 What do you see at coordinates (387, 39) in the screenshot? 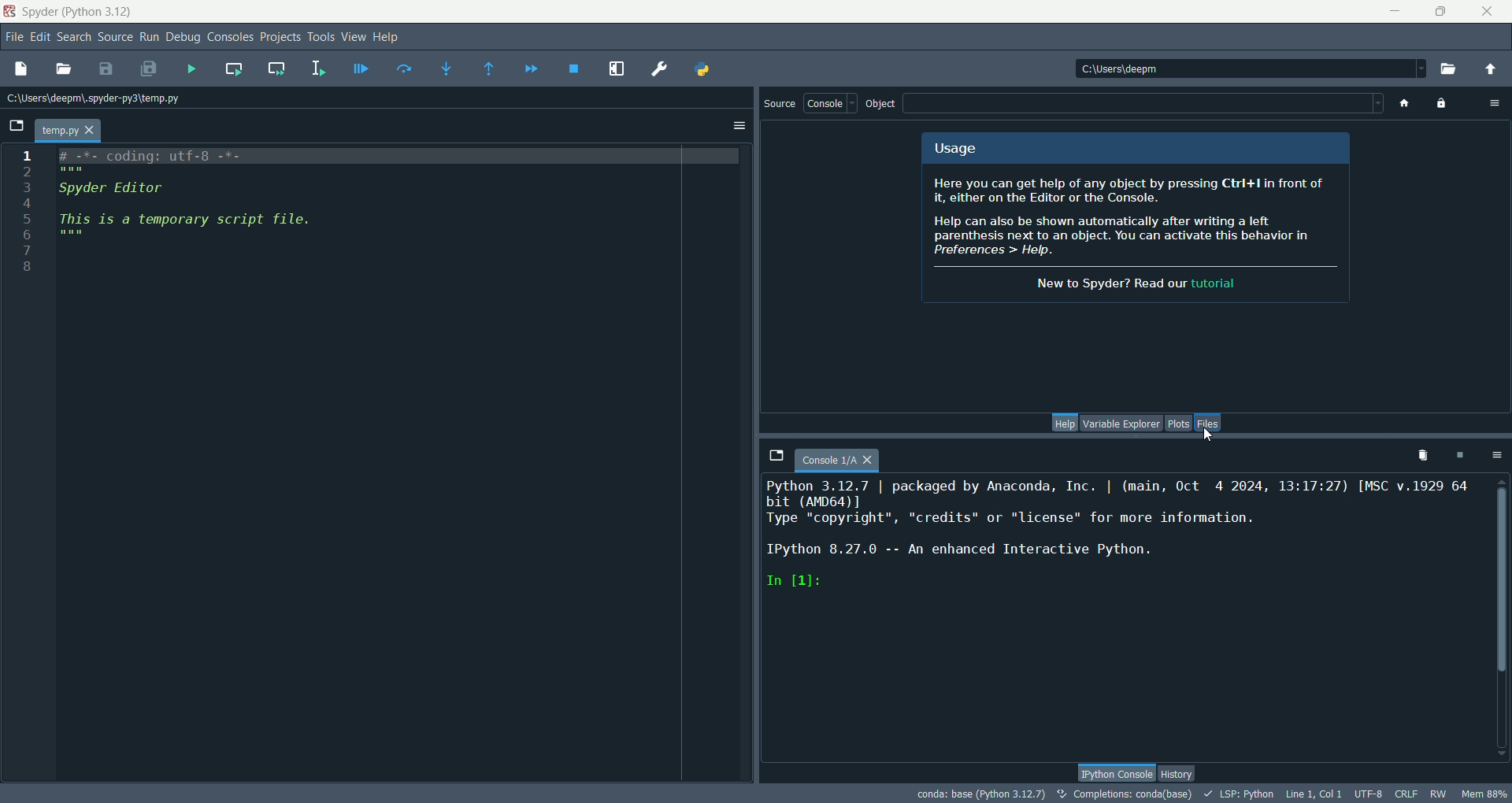
I see `help` at bounding box center [387, 39].